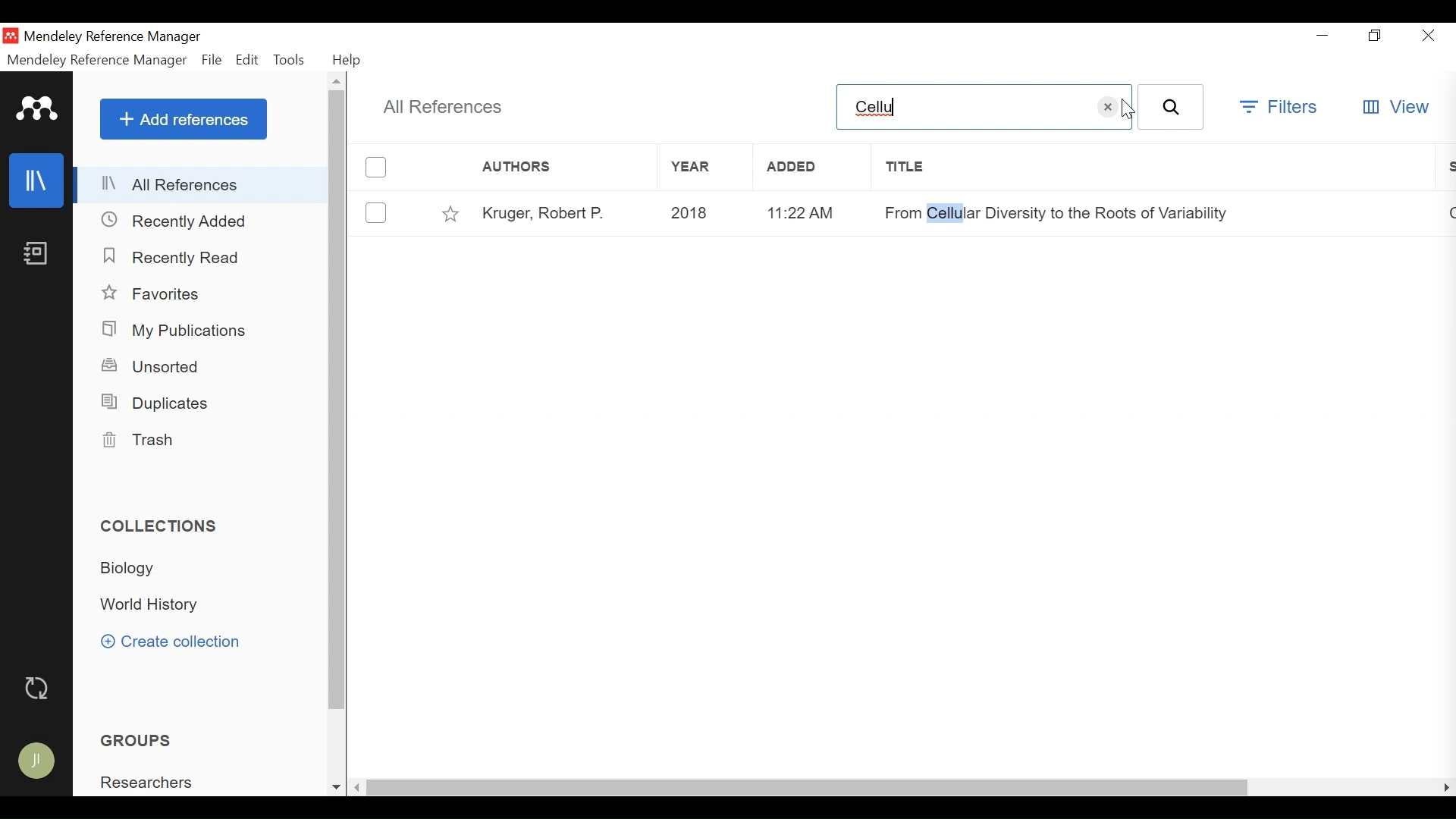 This screenshot has height=819, width=1456. I want to click on Recently Read, so click(172, 257).